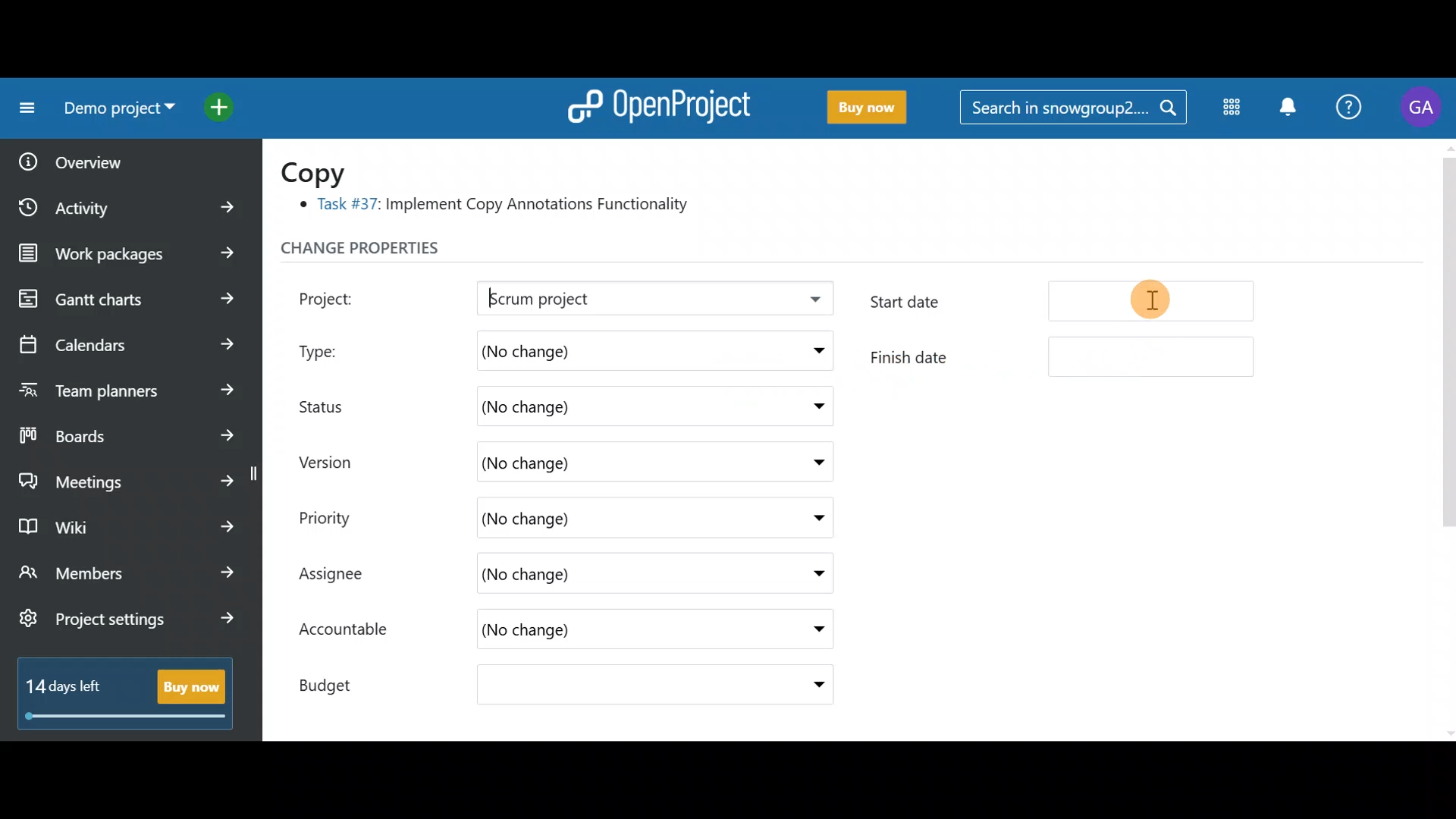 The height and width of the screenshot is (819, 1456). I want to click on ® Task #37: Implement Copy Annotations Functionality, so click(500, 207).